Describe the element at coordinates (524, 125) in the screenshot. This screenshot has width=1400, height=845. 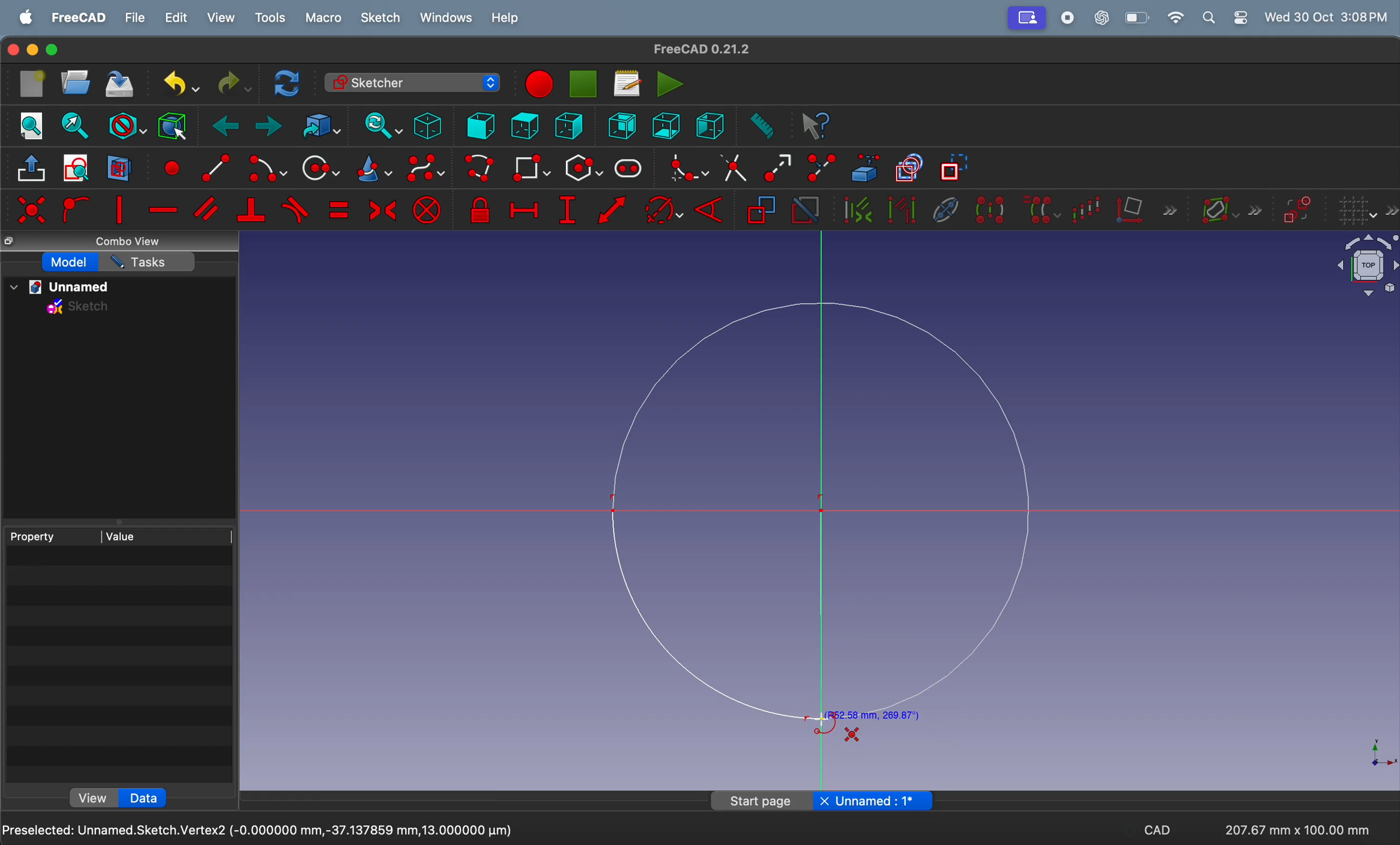
I see `top view` at that location.